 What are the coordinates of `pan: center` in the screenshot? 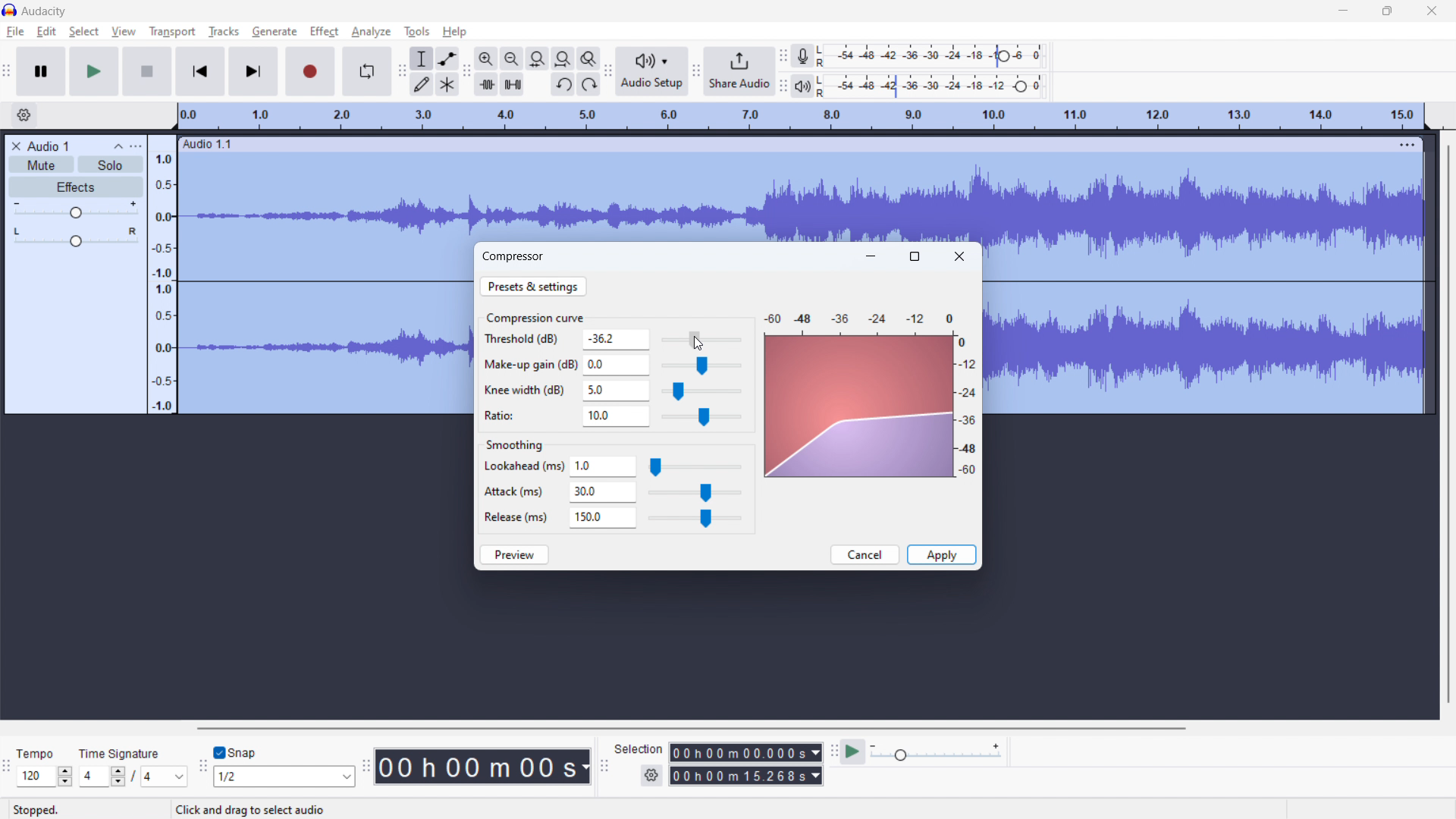 It's located at (75, 237).